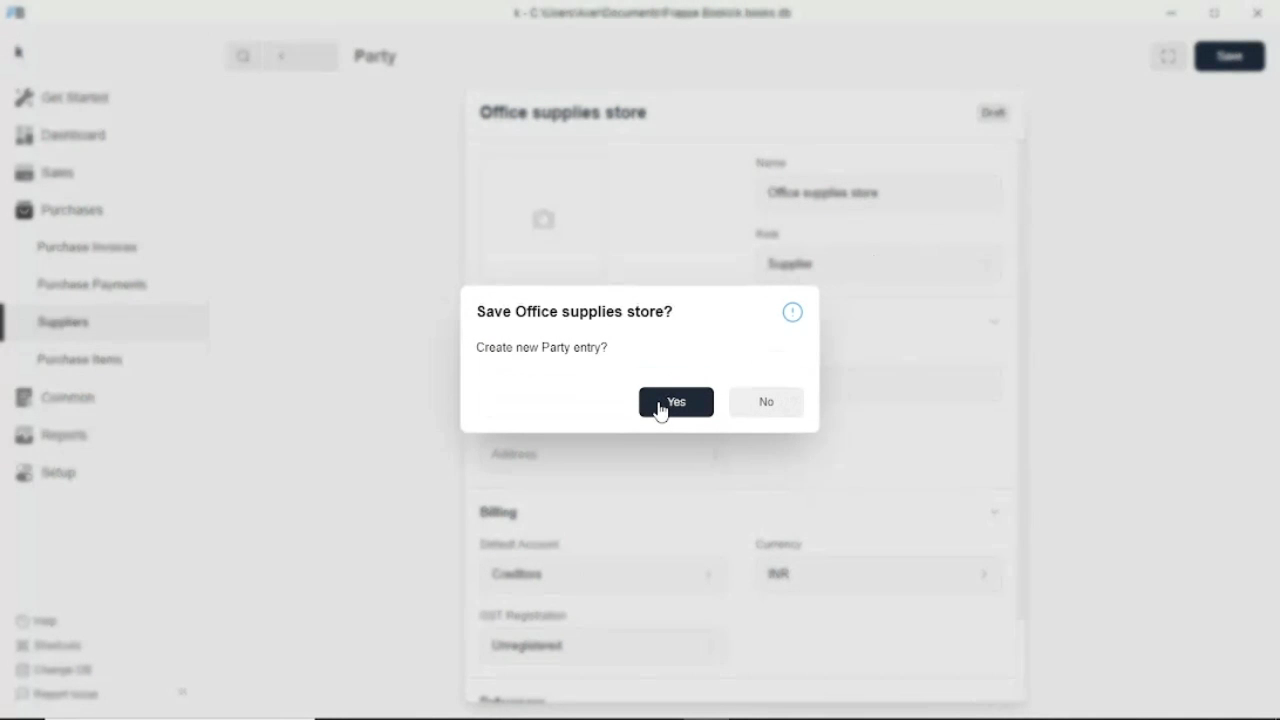  I want to click on Office supplies store, so click(878, 195).